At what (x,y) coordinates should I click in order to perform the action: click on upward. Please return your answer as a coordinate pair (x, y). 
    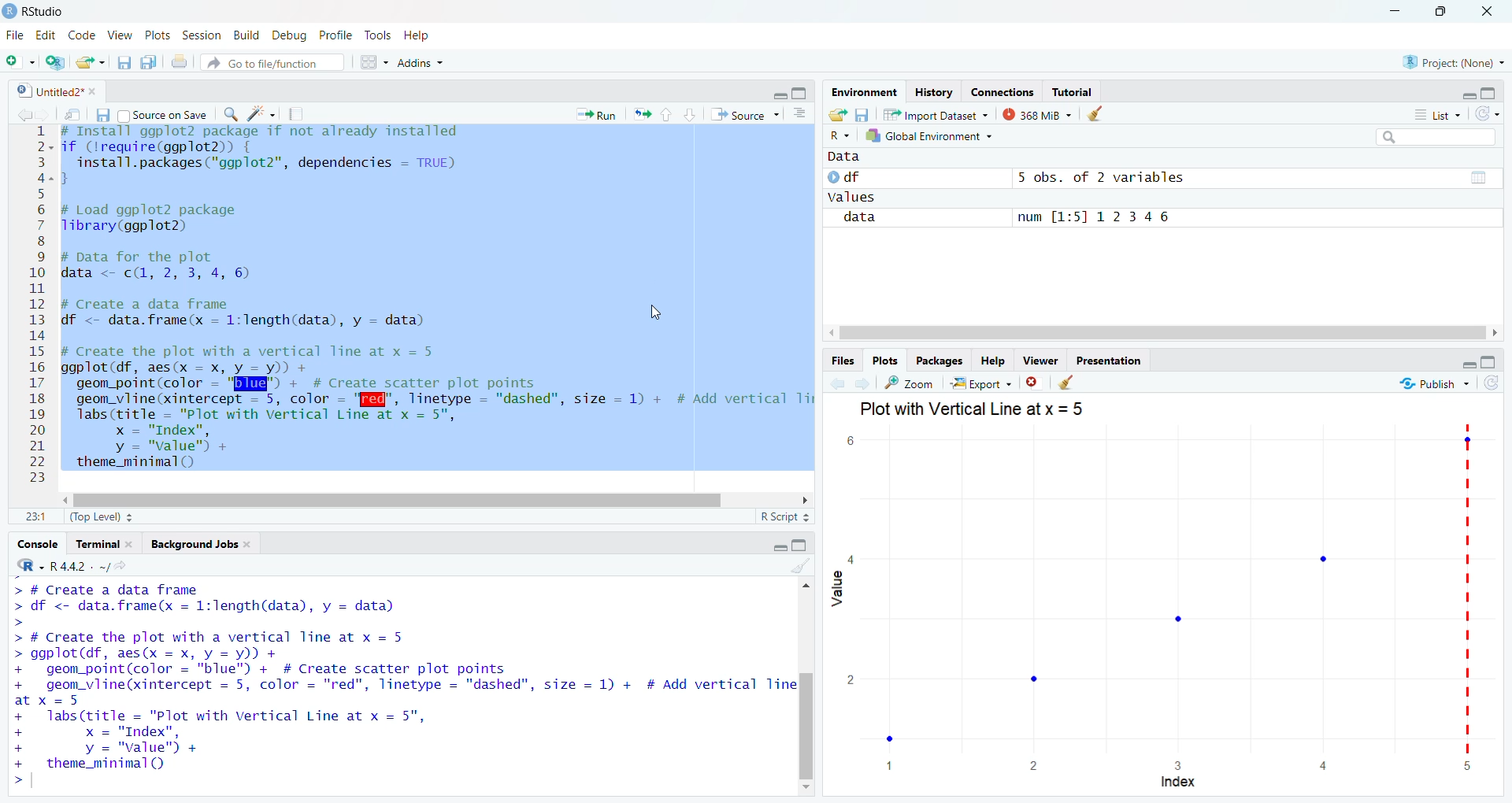
    Looking at the image, I should click on (665, 117).